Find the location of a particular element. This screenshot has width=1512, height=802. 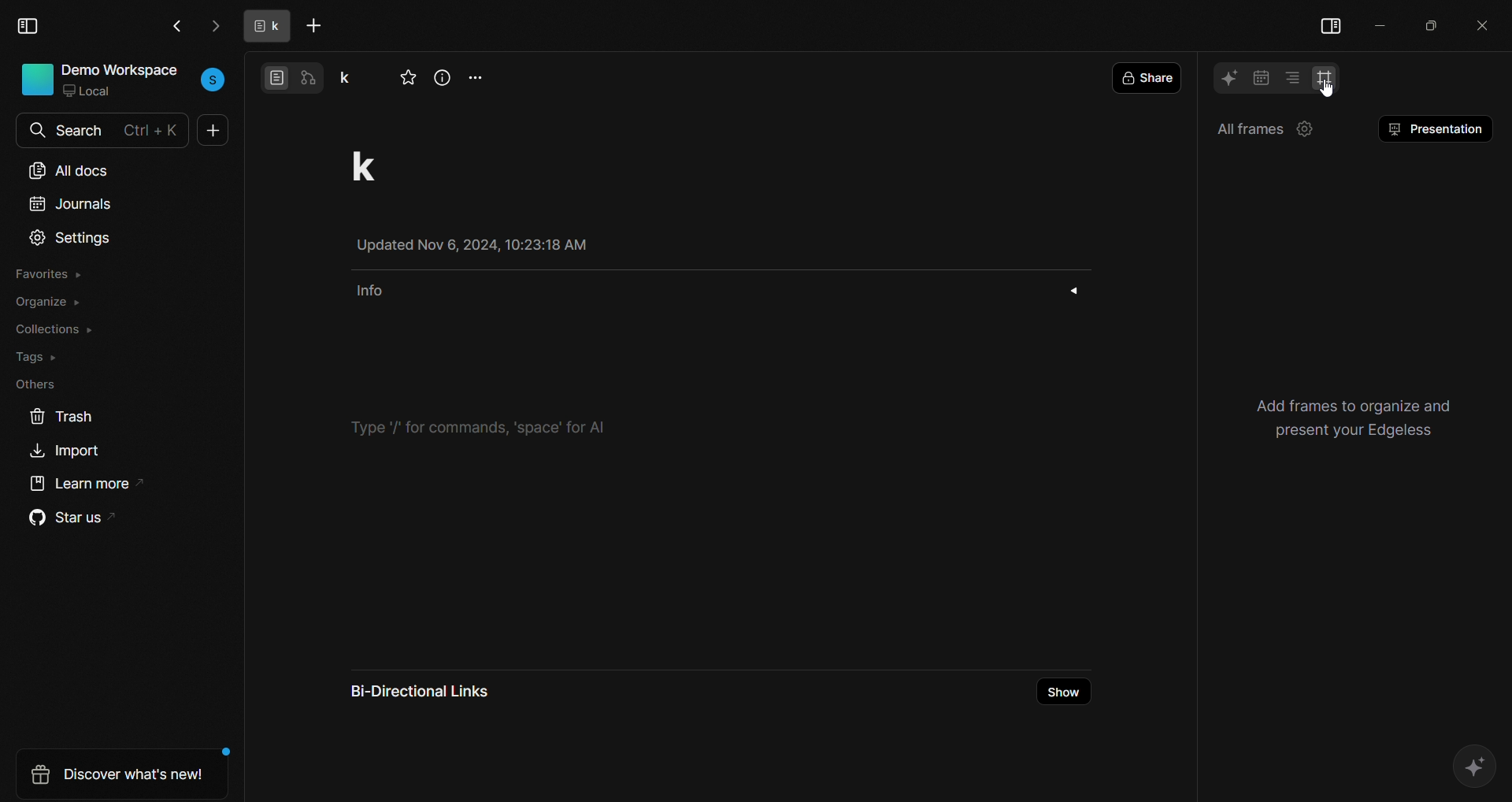

add tab is located at coordinates (317, 26).